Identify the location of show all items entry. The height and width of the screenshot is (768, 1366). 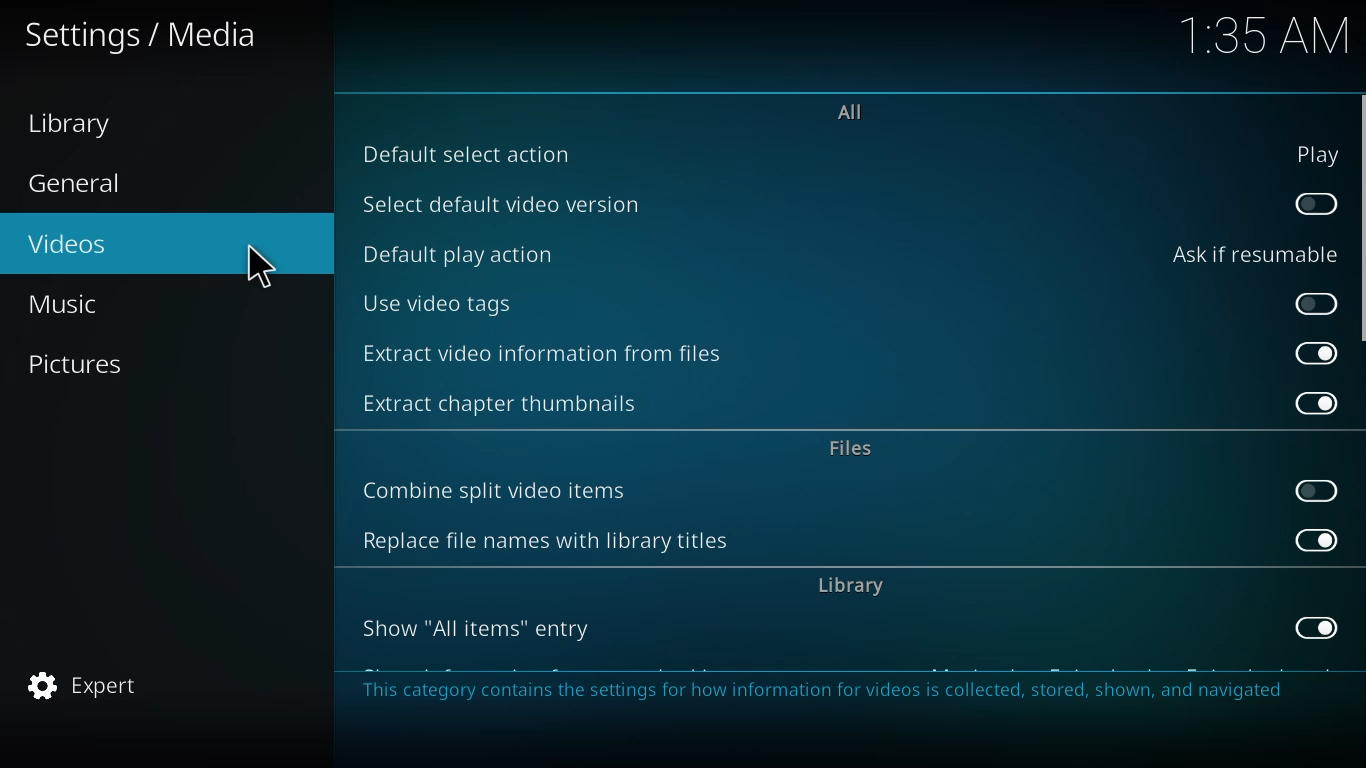
(480, 629).